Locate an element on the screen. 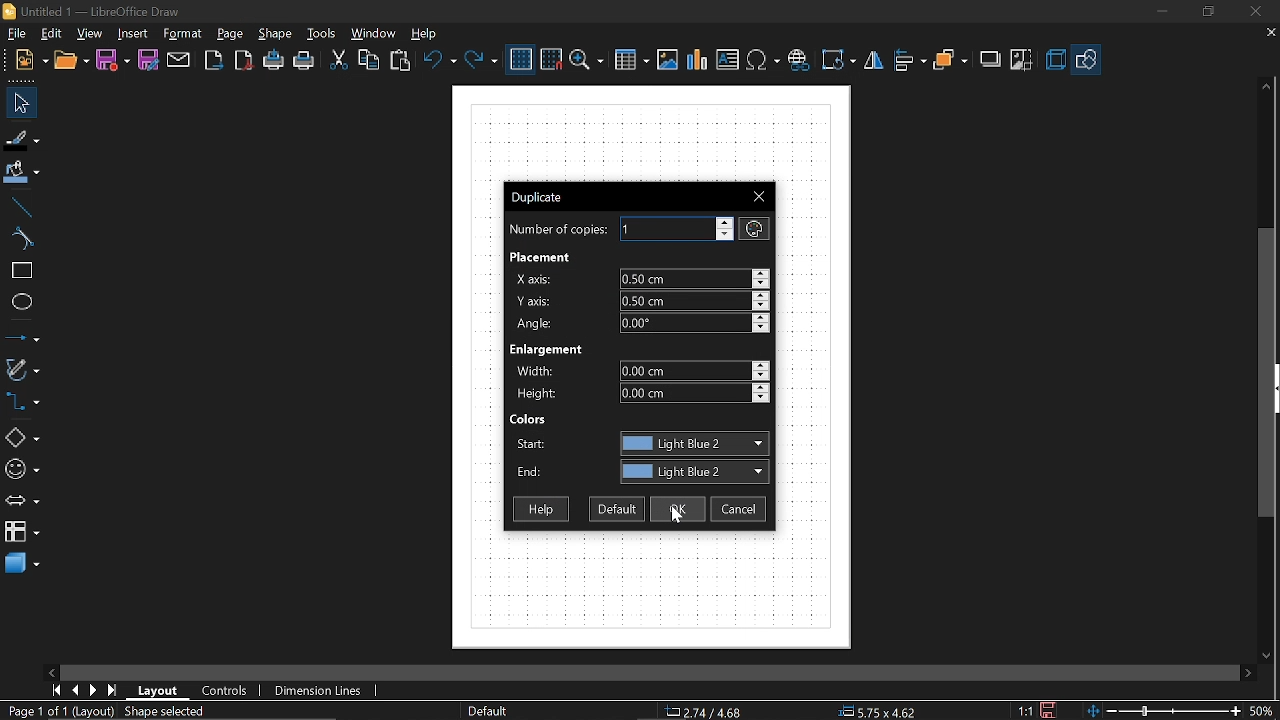 This screenshot has width=1280, height=720. insert table is located at coordinates (631, 61).